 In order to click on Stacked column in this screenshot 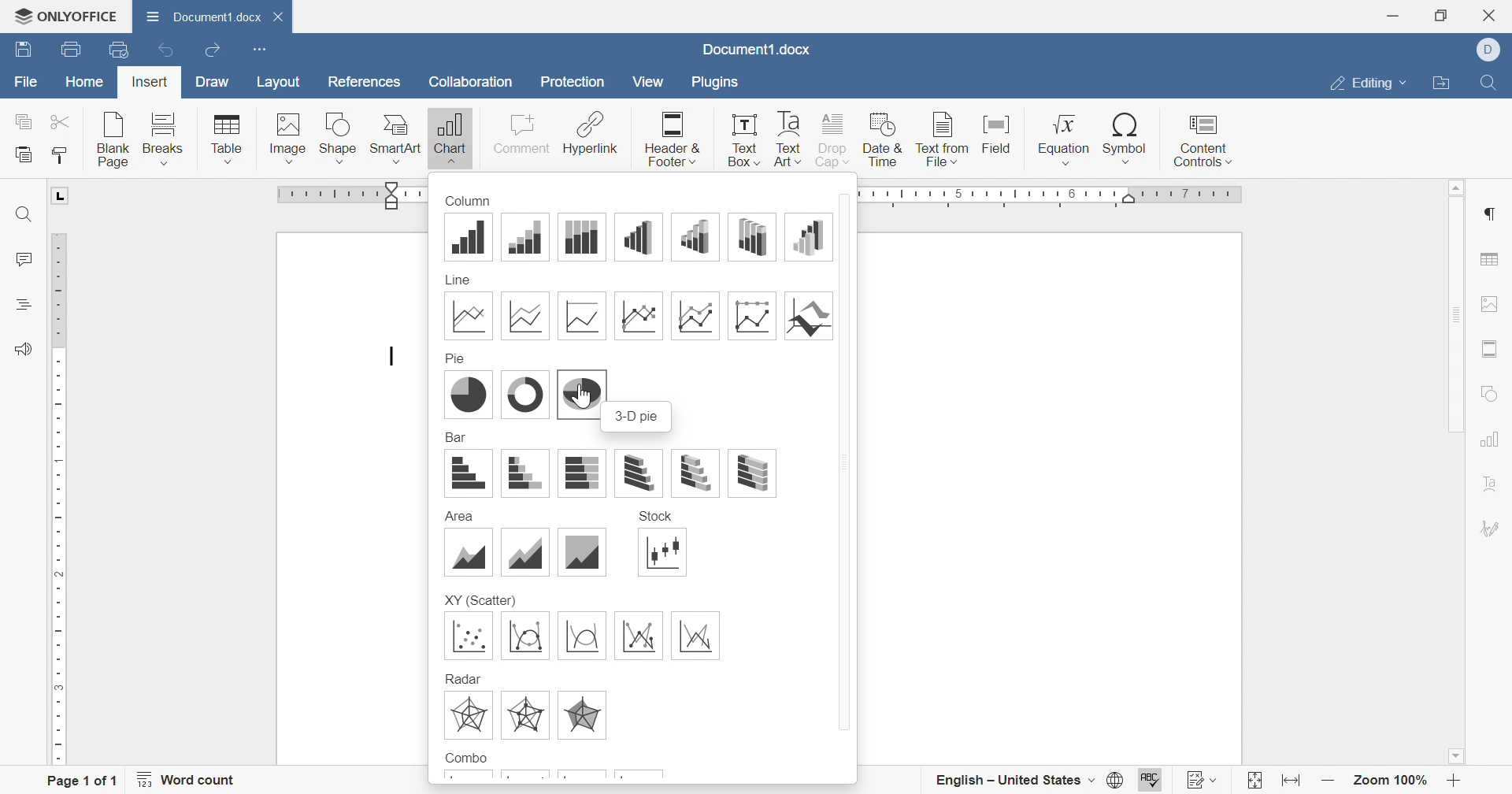, I will do `click(527, 237)`.